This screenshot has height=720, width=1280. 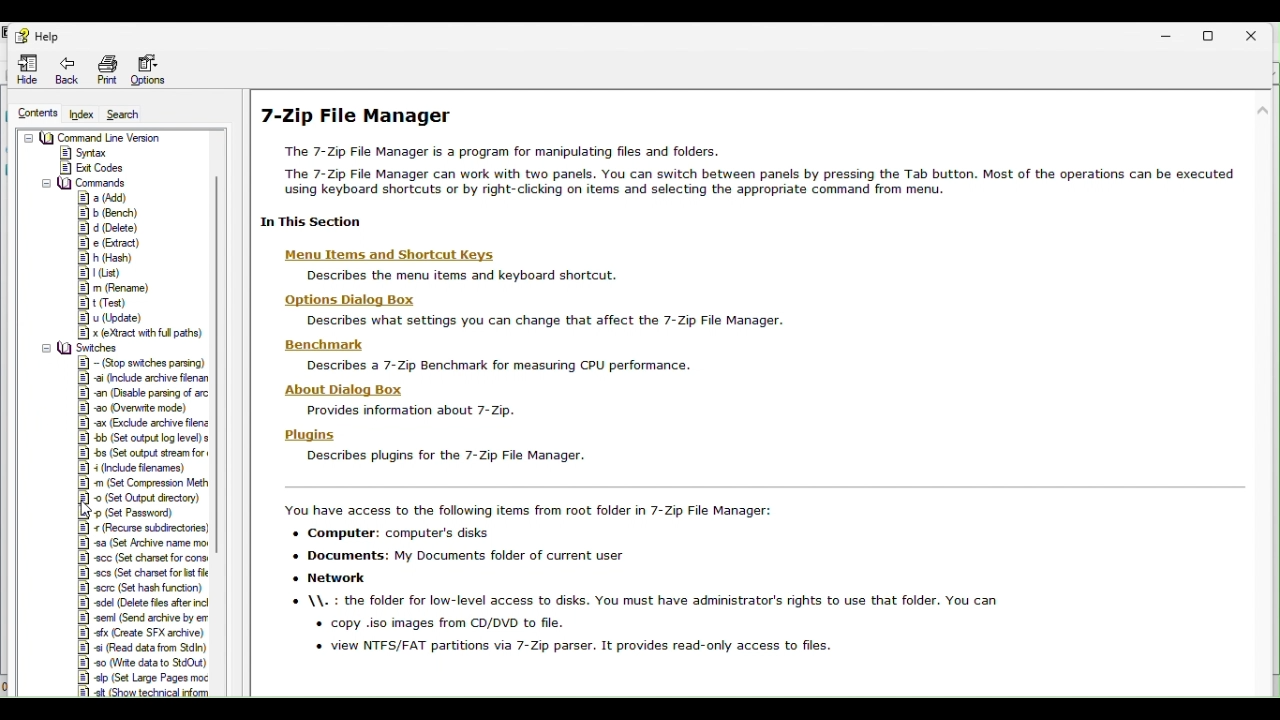 What do you see at coordinates (401, 255) in the screenshot?
I see `menu items and keyboards shortcuts` at bounding box center [401, 255].